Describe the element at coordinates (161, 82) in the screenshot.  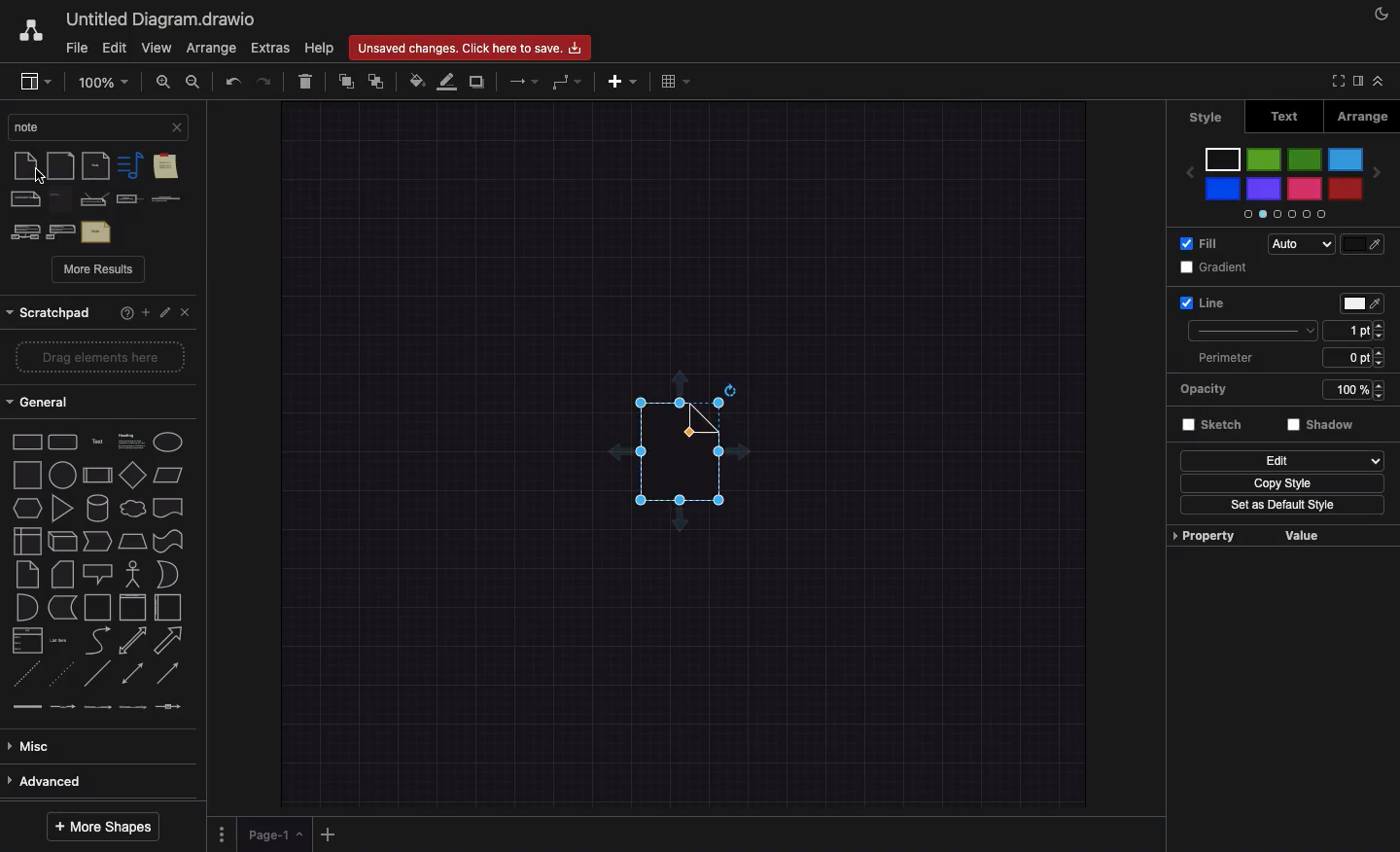
I see `Zoom in` at that location.